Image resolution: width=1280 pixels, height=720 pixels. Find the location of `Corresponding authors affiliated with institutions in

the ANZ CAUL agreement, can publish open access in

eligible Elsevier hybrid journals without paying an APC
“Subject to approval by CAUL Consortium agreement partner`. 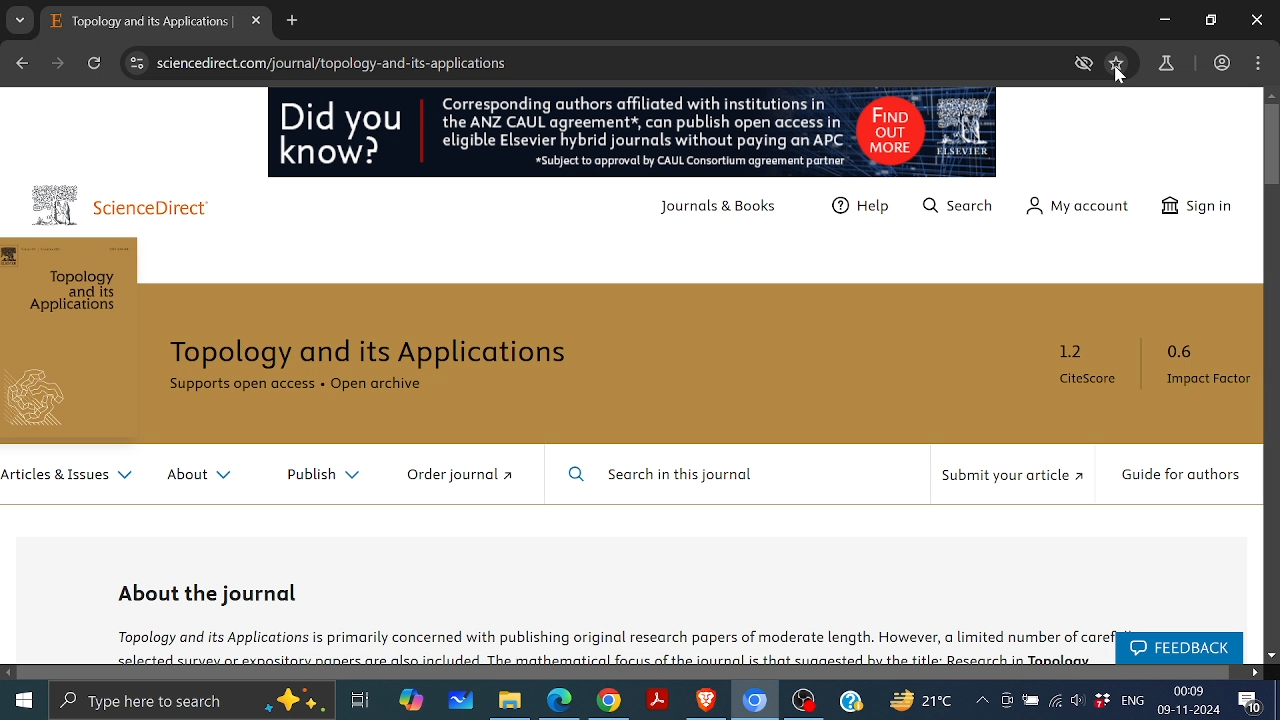

Corresponding authors affiliated with institutions in

the ANZ CAUL agreement, can publish open access in

eligible Elsevier hybrid journals without paying an APC
“Subject to approval by CAUL Consortium agreement partner is located at coordinates (638, 133).